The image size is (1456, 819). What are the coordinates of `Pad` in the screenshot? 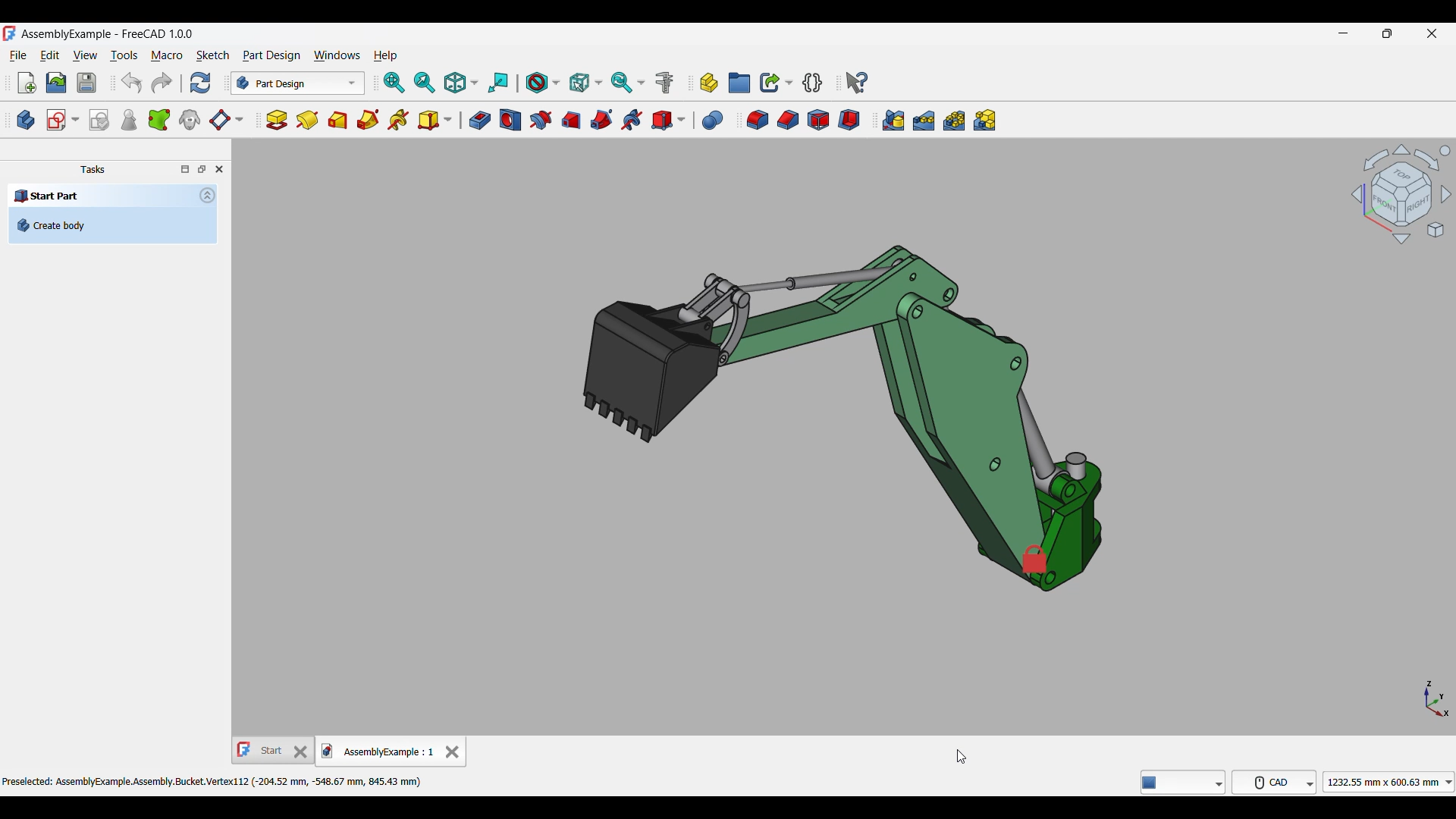 It's located at (277, 120).